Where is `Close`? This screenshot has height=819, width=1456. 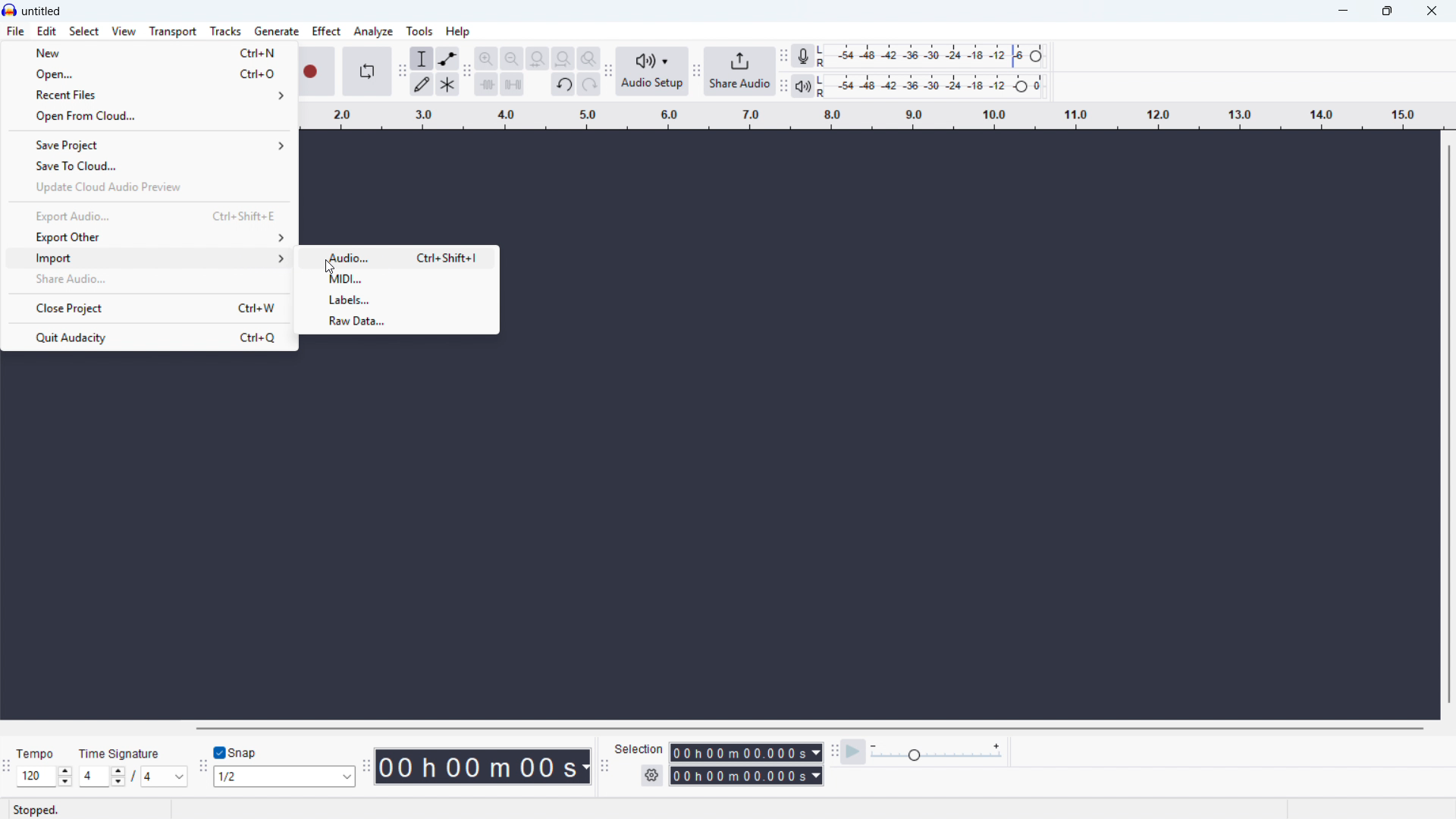
Close is located at coordinates (1432, 12).